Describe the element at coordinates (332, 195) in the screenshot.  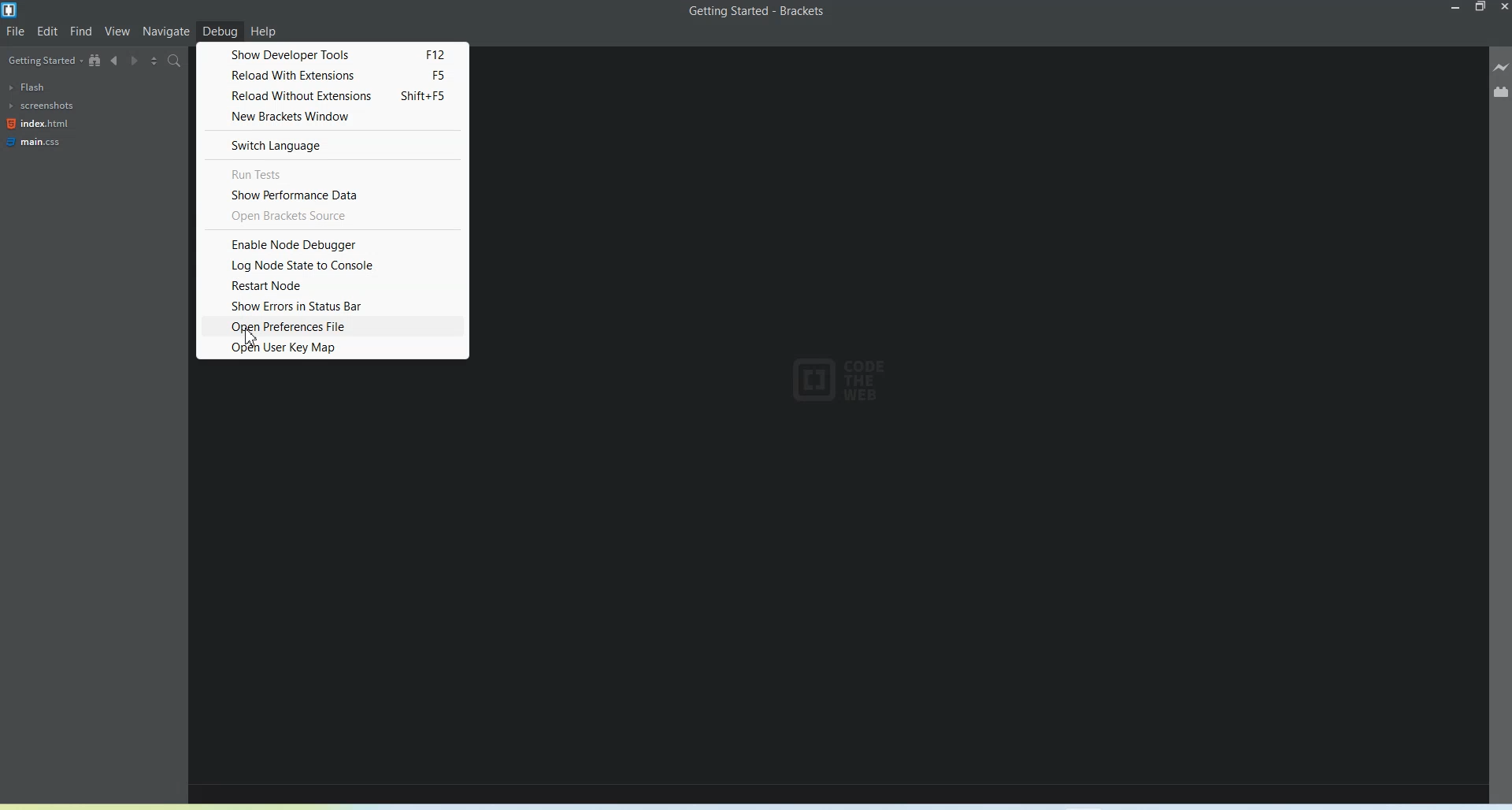
I see `Show Performance Data` at that location.